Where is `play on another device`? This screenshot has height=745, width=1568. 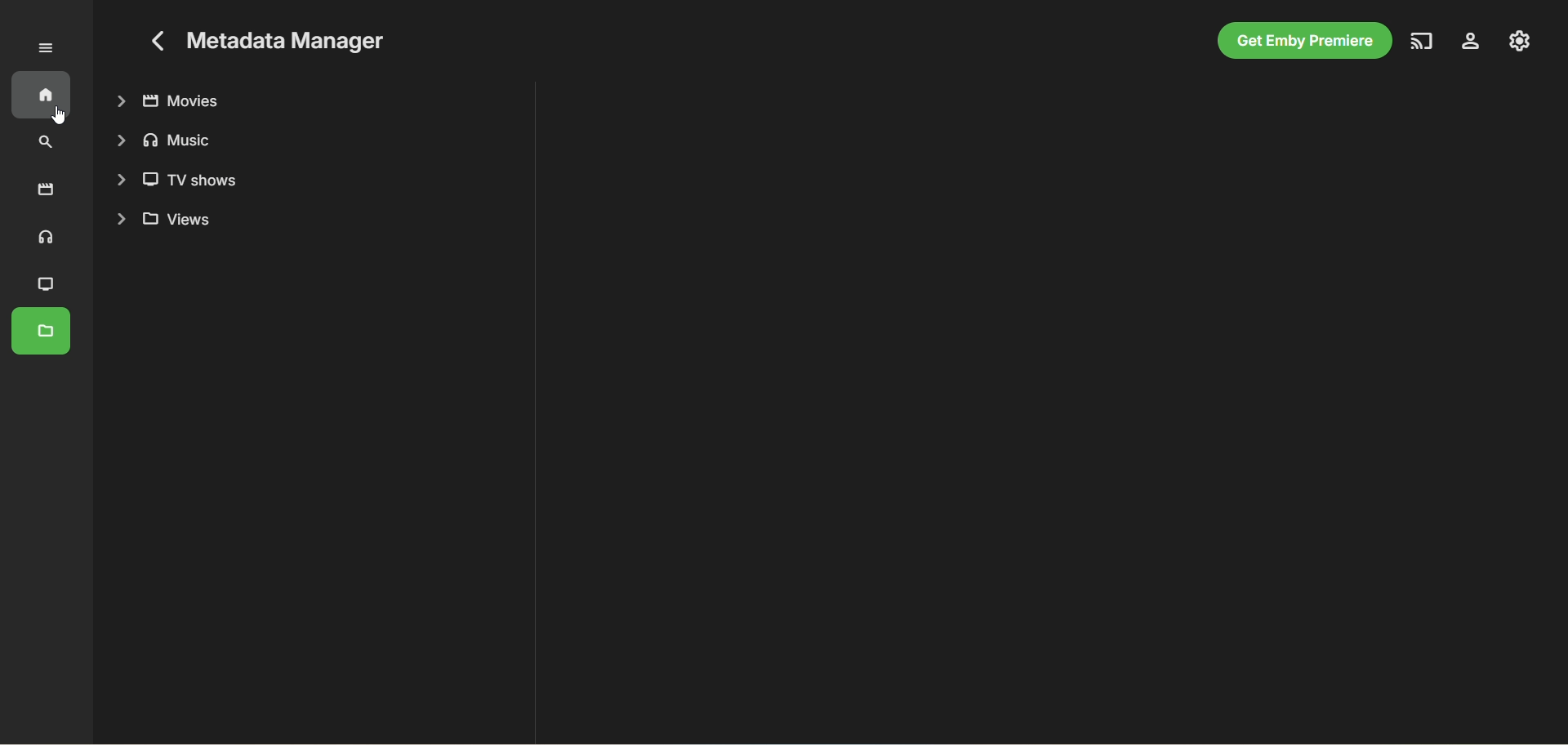
play on another device is located at coordinates (1422, 42).